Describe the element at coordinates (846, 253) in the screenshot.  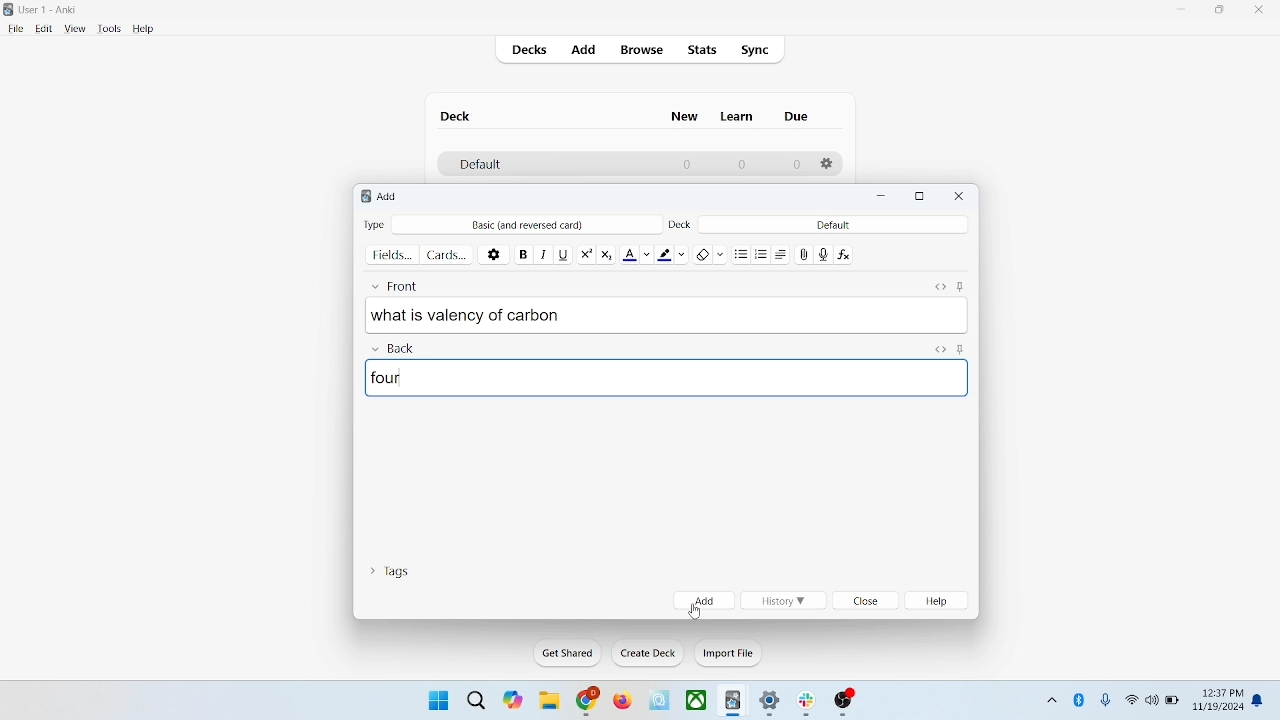
I see `function` at that location.